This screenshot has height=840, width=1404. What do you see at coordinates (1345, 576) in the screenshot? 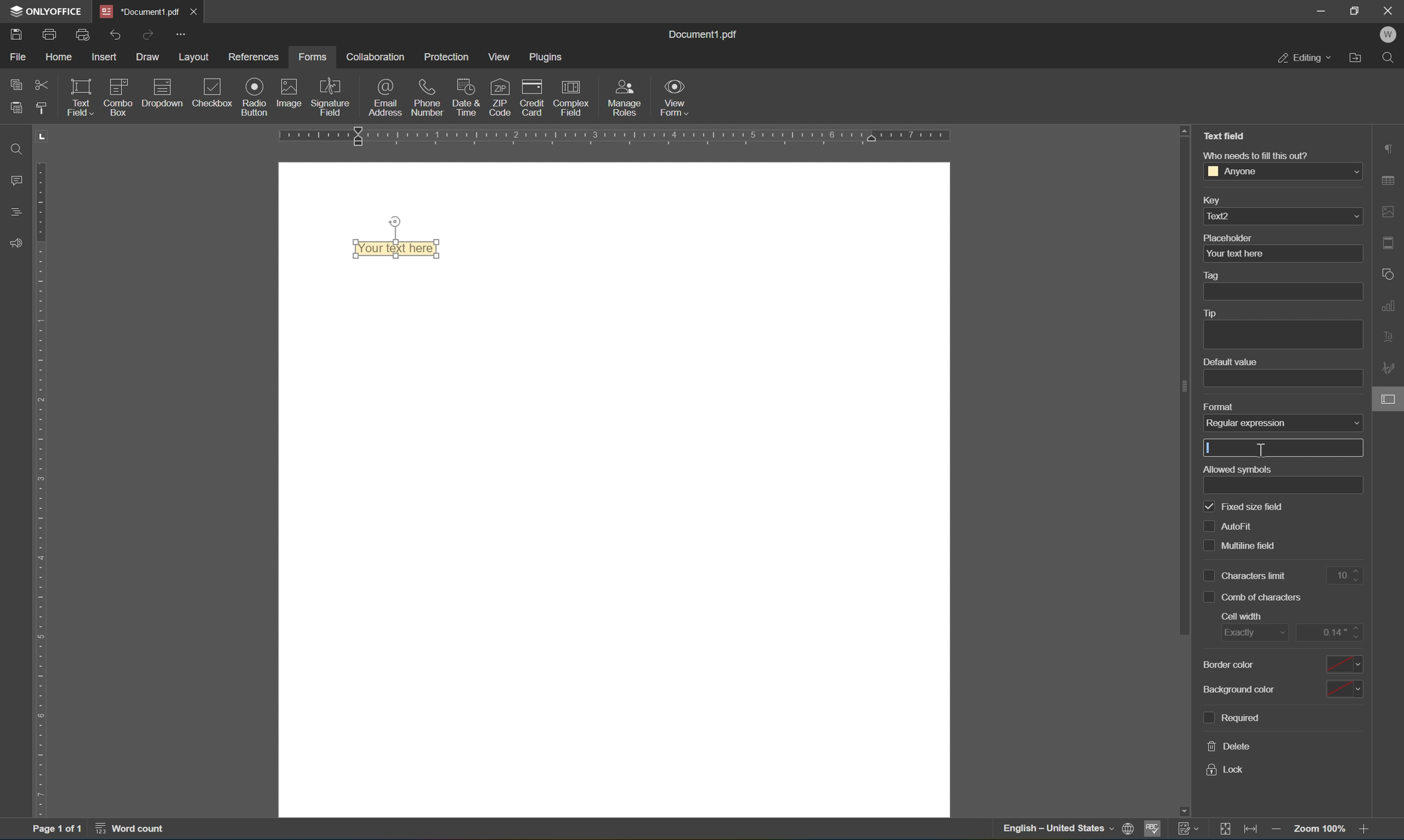
I see `10` at bounding box center [1345, 576].